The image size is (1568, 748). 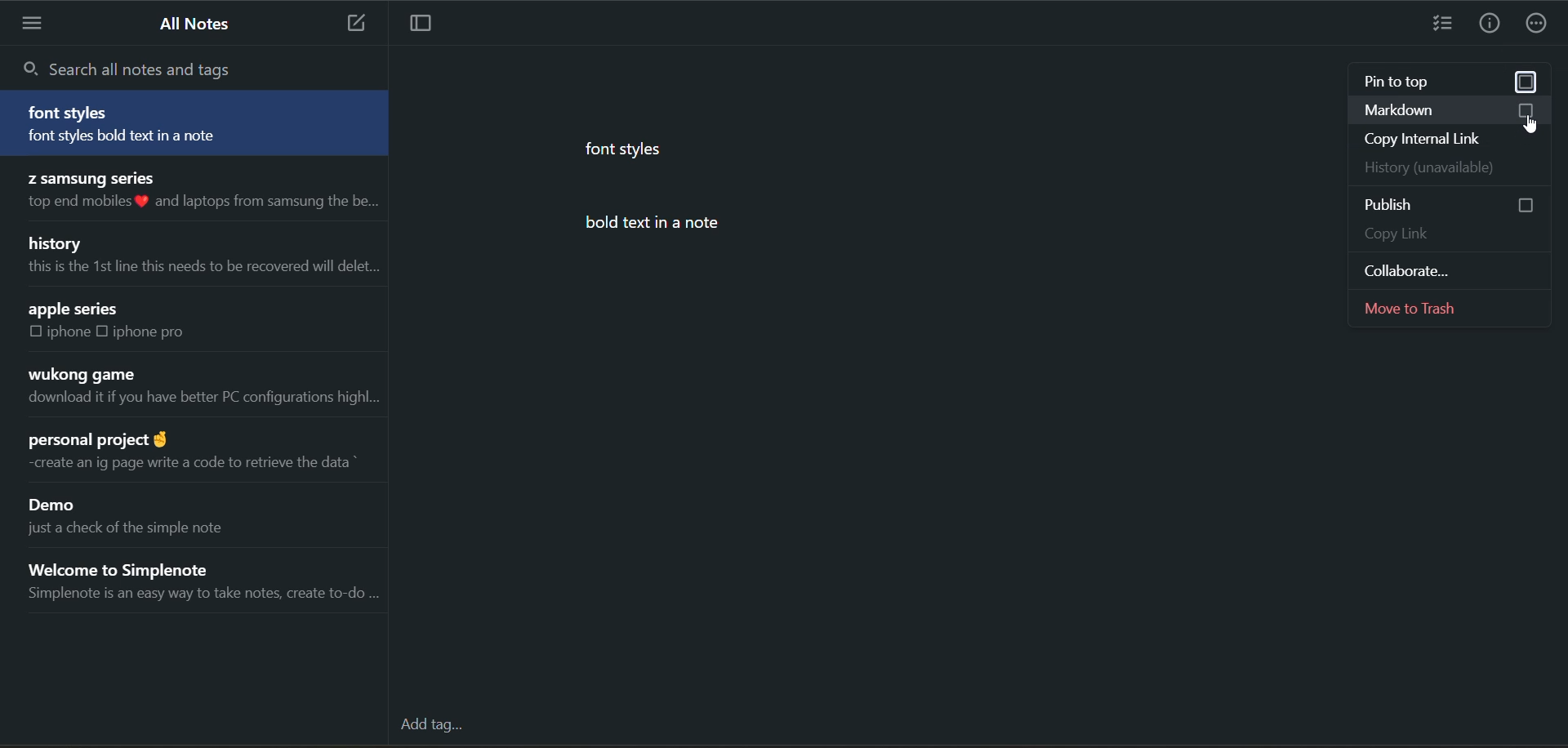 I want to click on history, so click(x=1445, y=167).